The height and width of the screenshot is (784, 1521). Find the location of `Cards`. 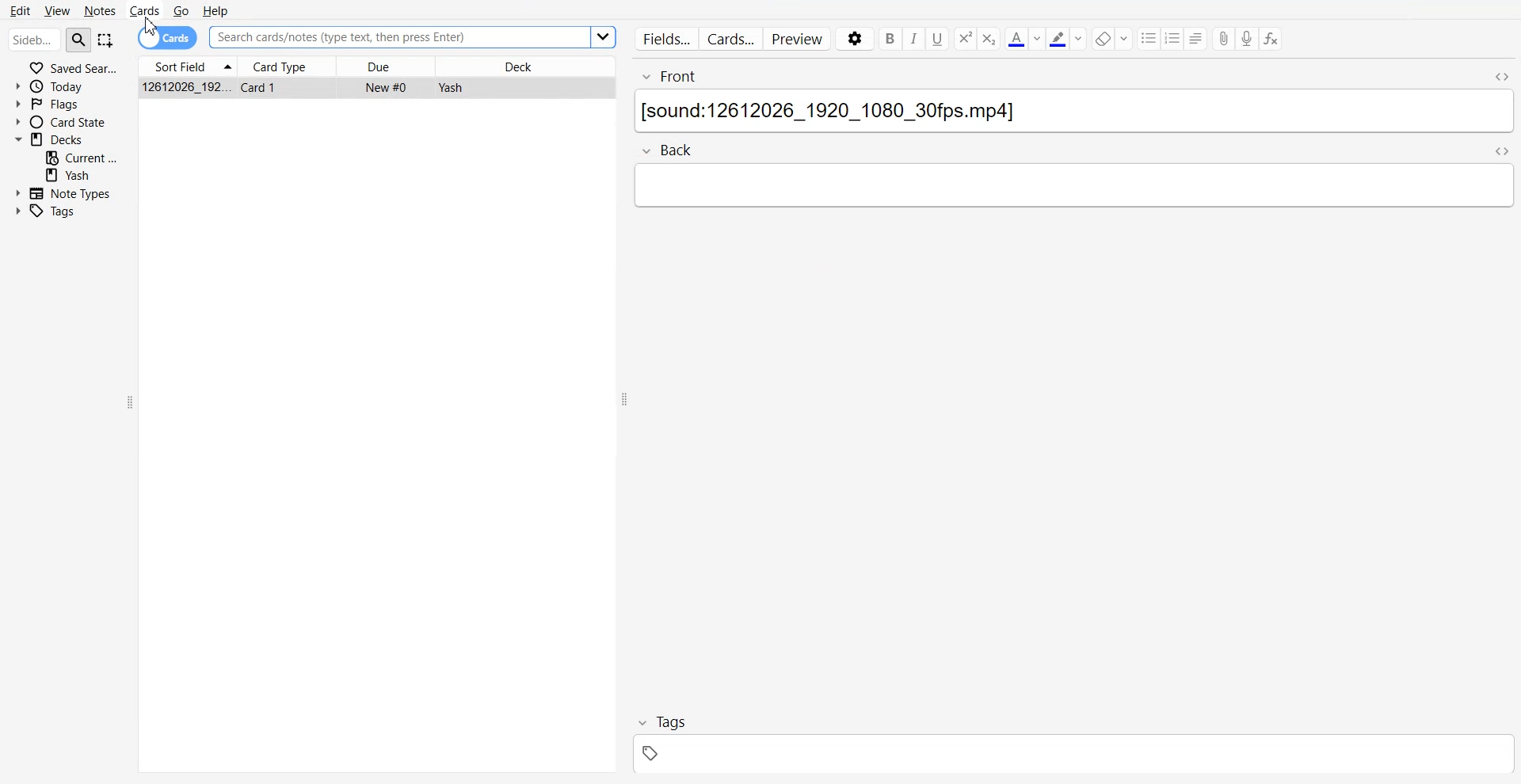

Cards is located at coordinates (168, 37).